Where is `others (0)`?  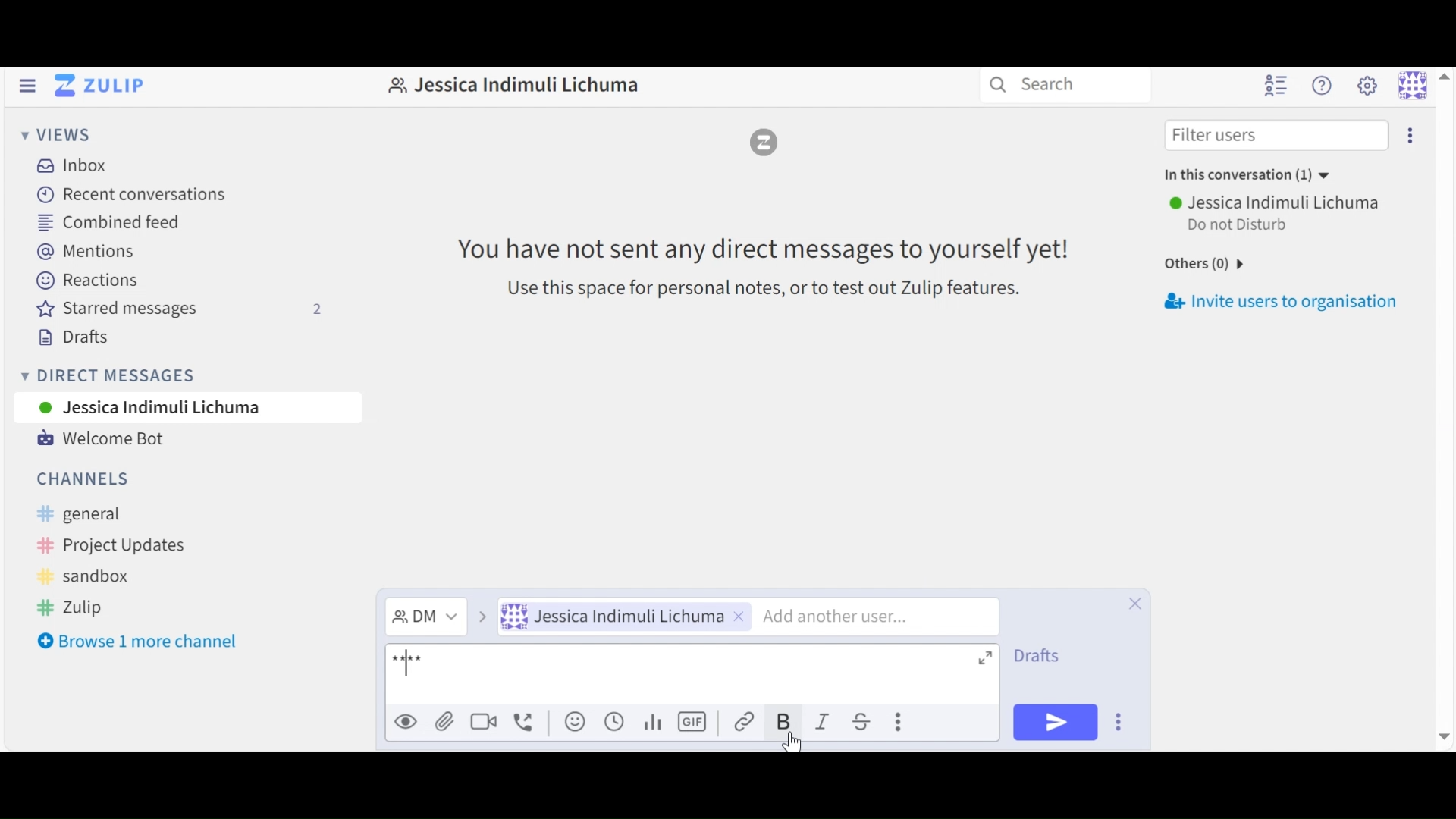
others (0) is located at coordinates (1199, 265).